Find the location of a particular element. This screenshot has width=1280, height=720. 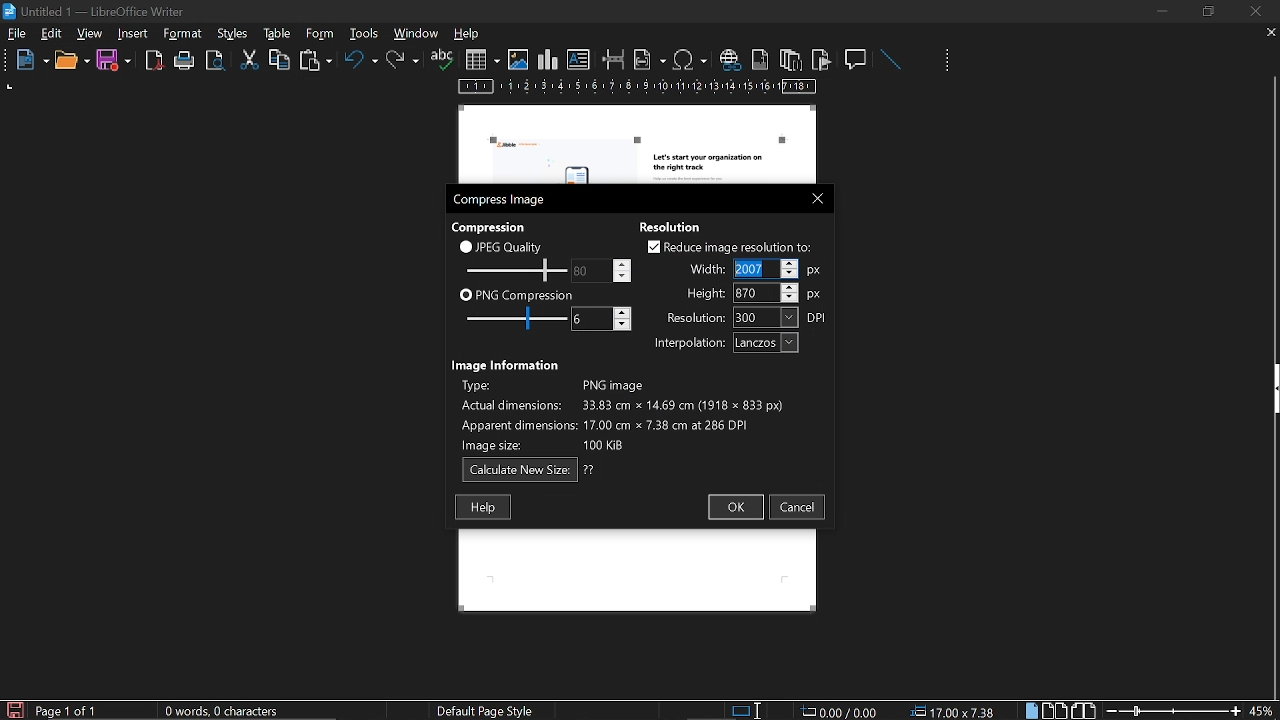

paste is located at coordinates (314, 62).